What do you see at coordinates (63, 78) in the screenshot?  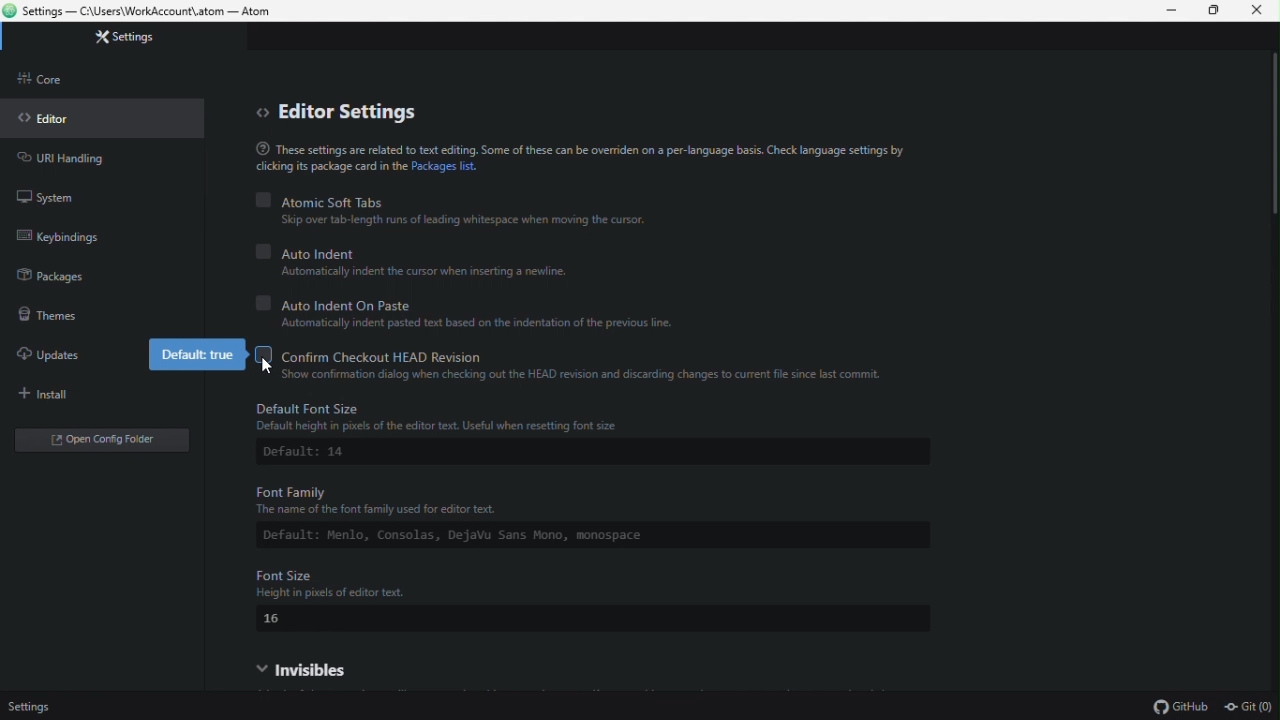 I see `Core ` at bounding box center [63, 78].